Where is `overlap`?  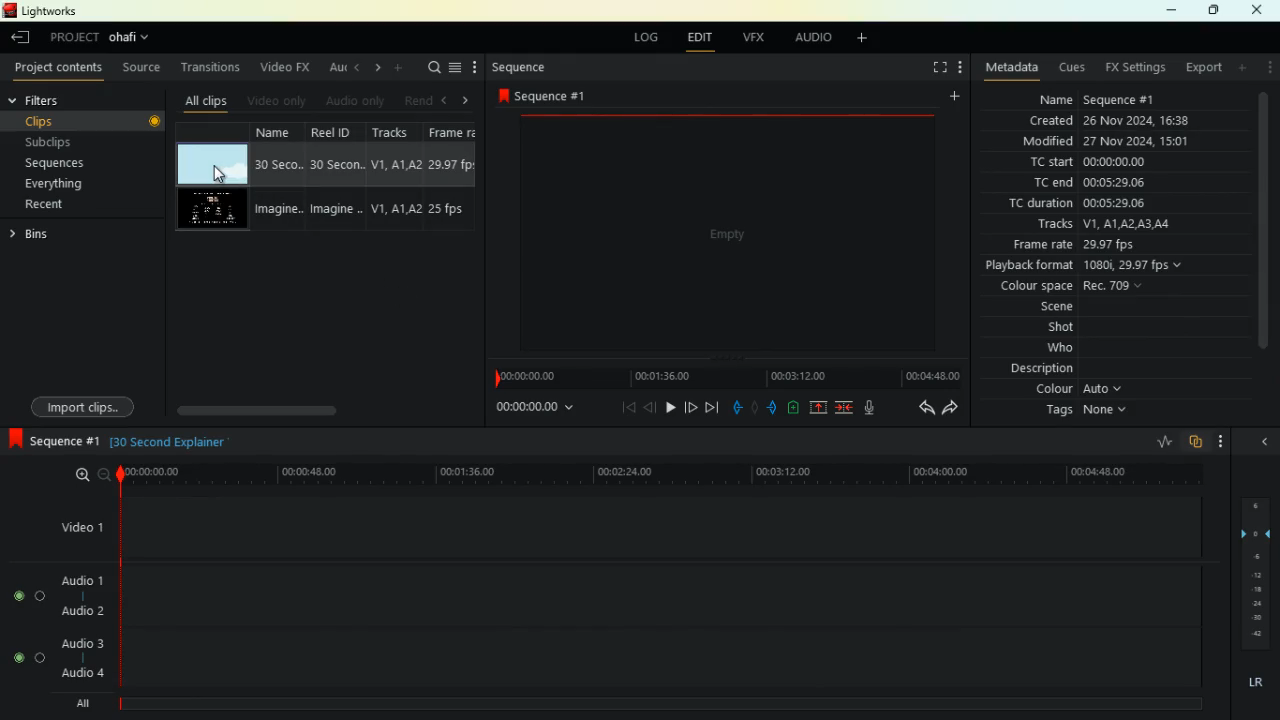
overlap is located at coordinates (1194, 444).